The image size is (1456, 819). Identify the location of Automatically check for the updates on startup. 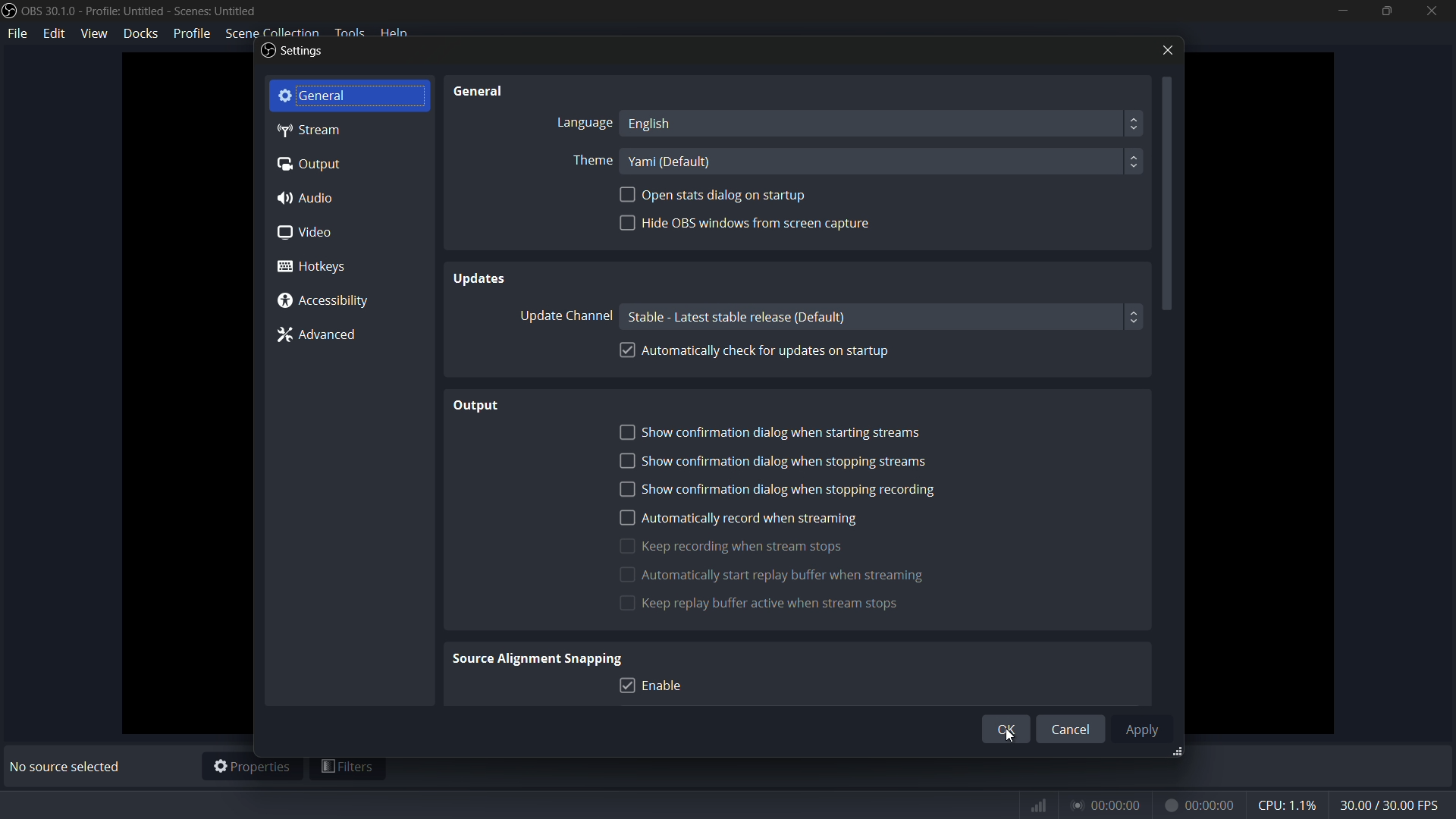
(760, 350).